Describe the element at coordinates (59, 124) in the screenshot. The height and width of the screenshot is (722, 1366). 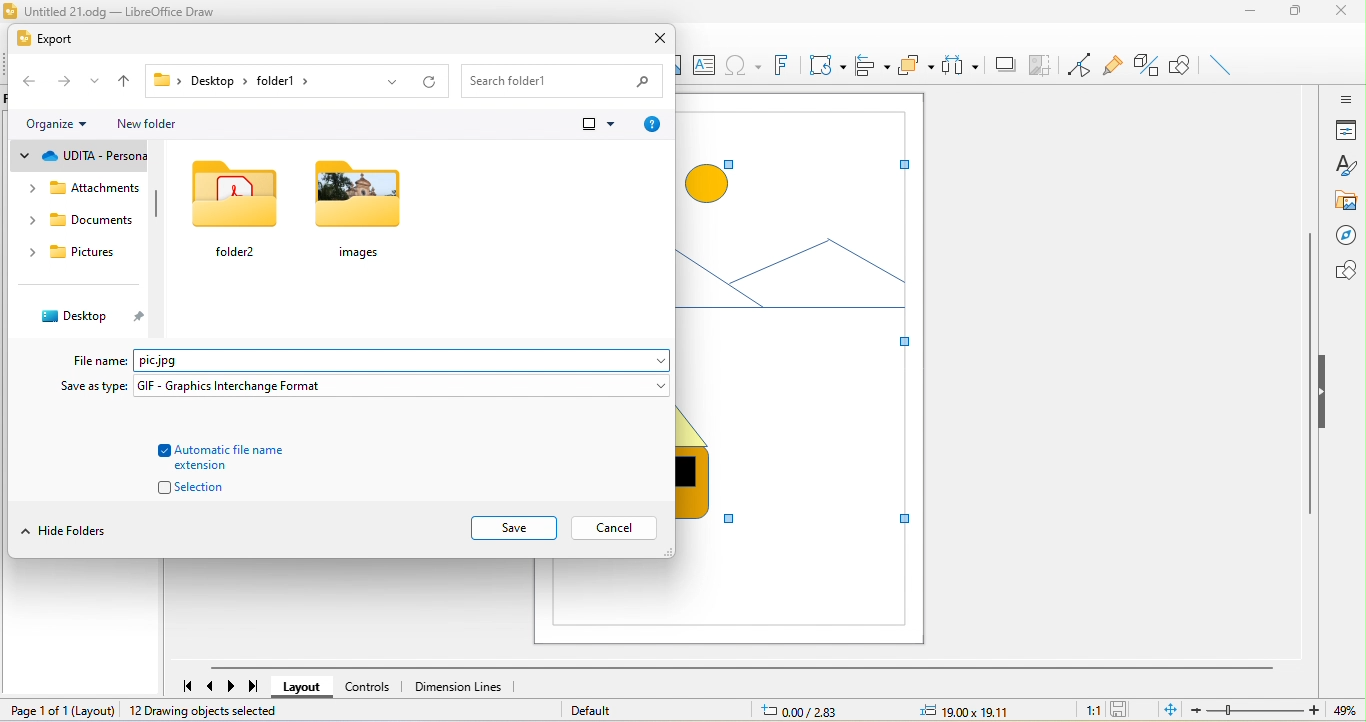
I see `organize` at that location.